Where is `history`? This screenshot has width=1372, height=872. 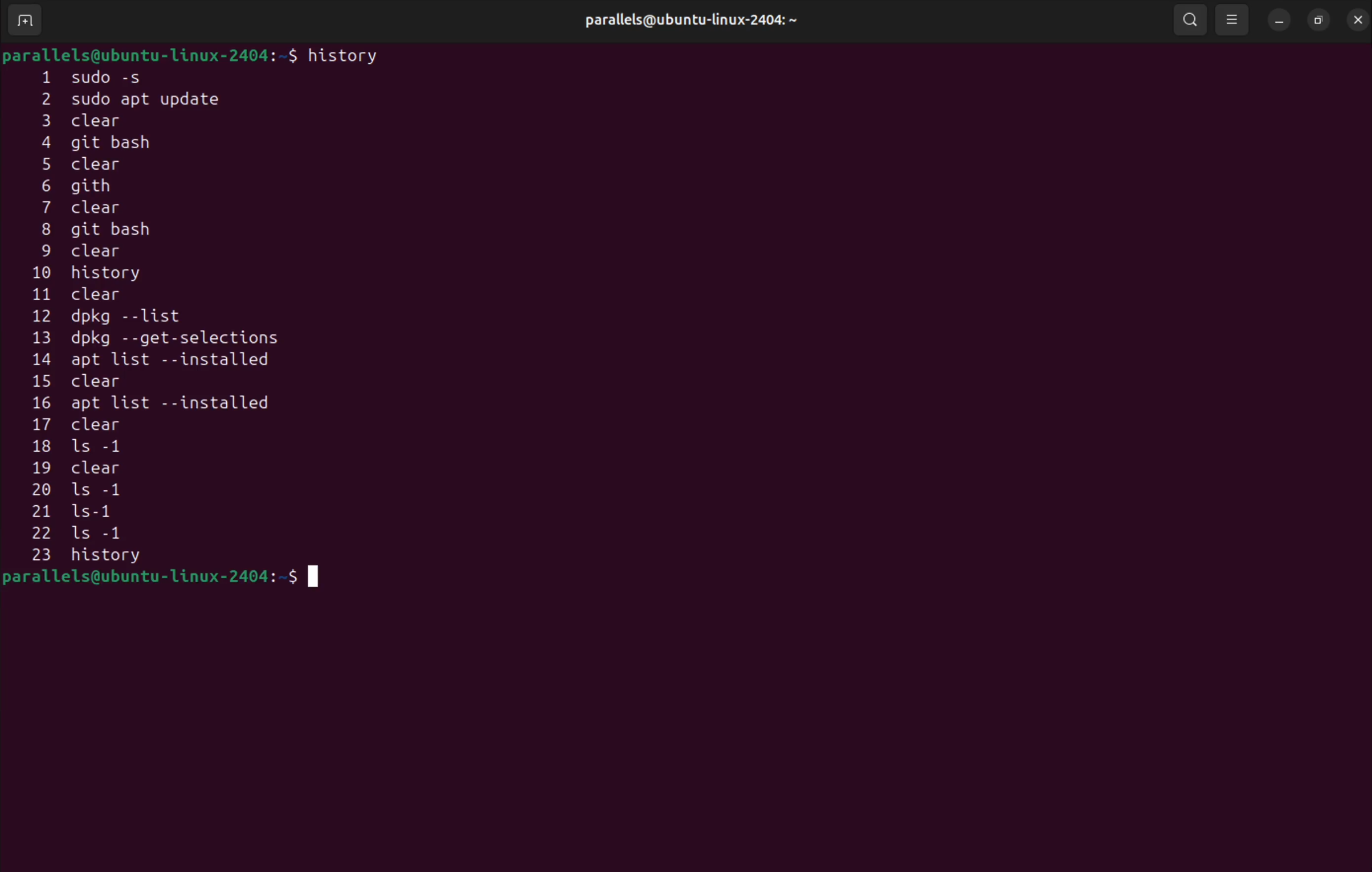
history is located at coordinates (347, 55).